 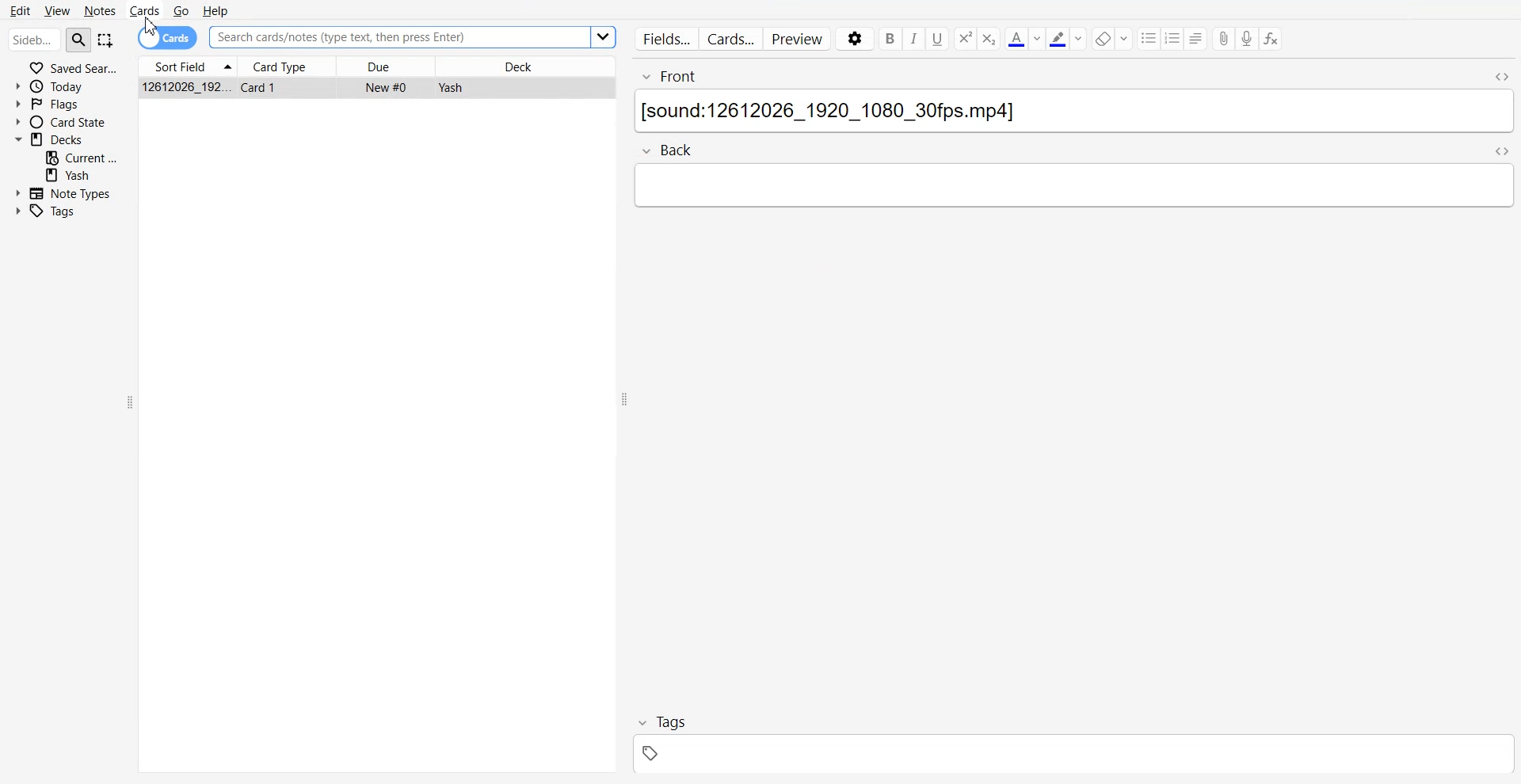 What do you see at coordinates (678, 150) in the screenshot?
I see `Back` at bounding box center [678, 150].